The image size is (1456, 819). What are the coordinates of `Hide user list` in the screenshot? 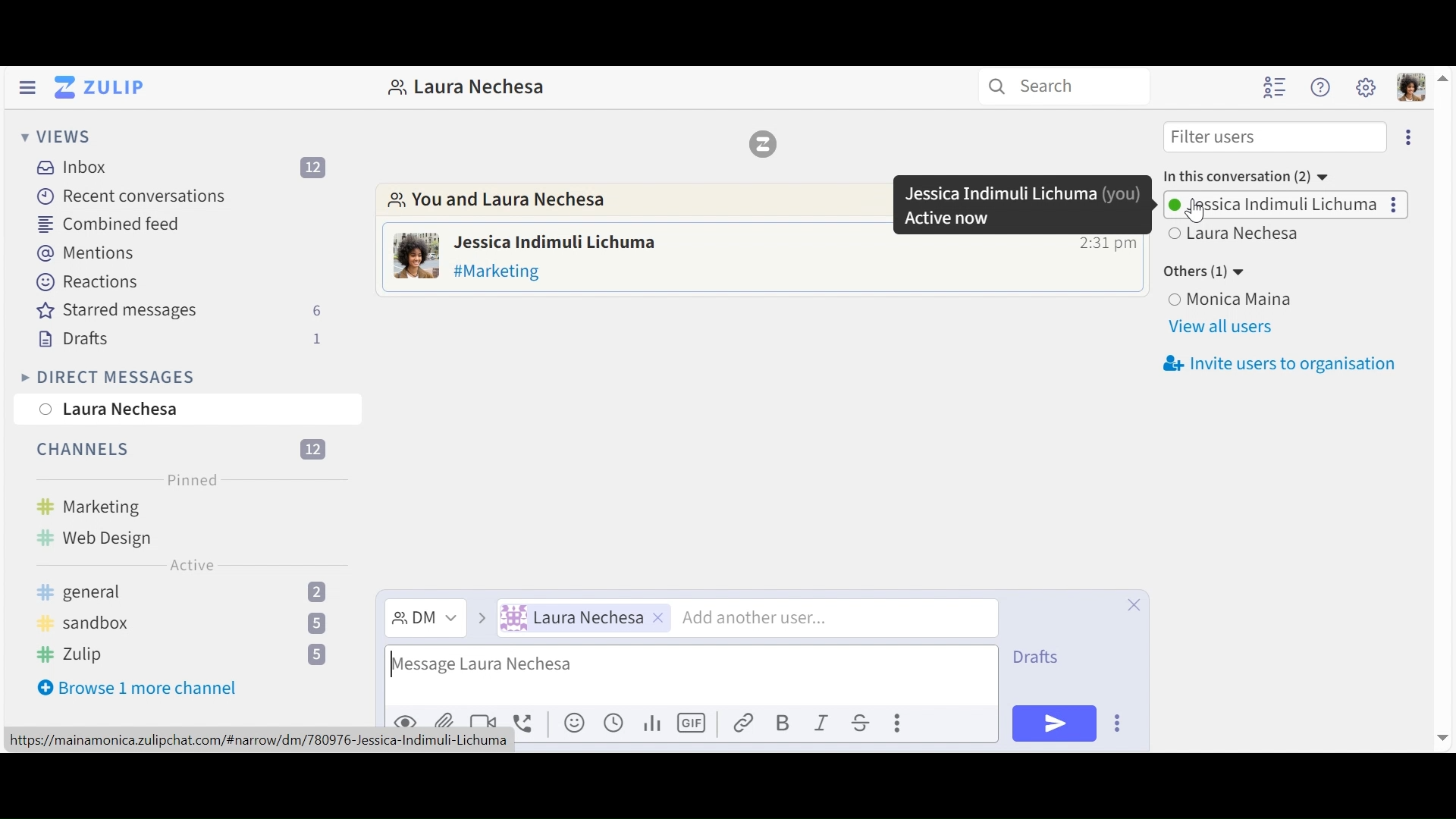 It's located at (1276, 88).